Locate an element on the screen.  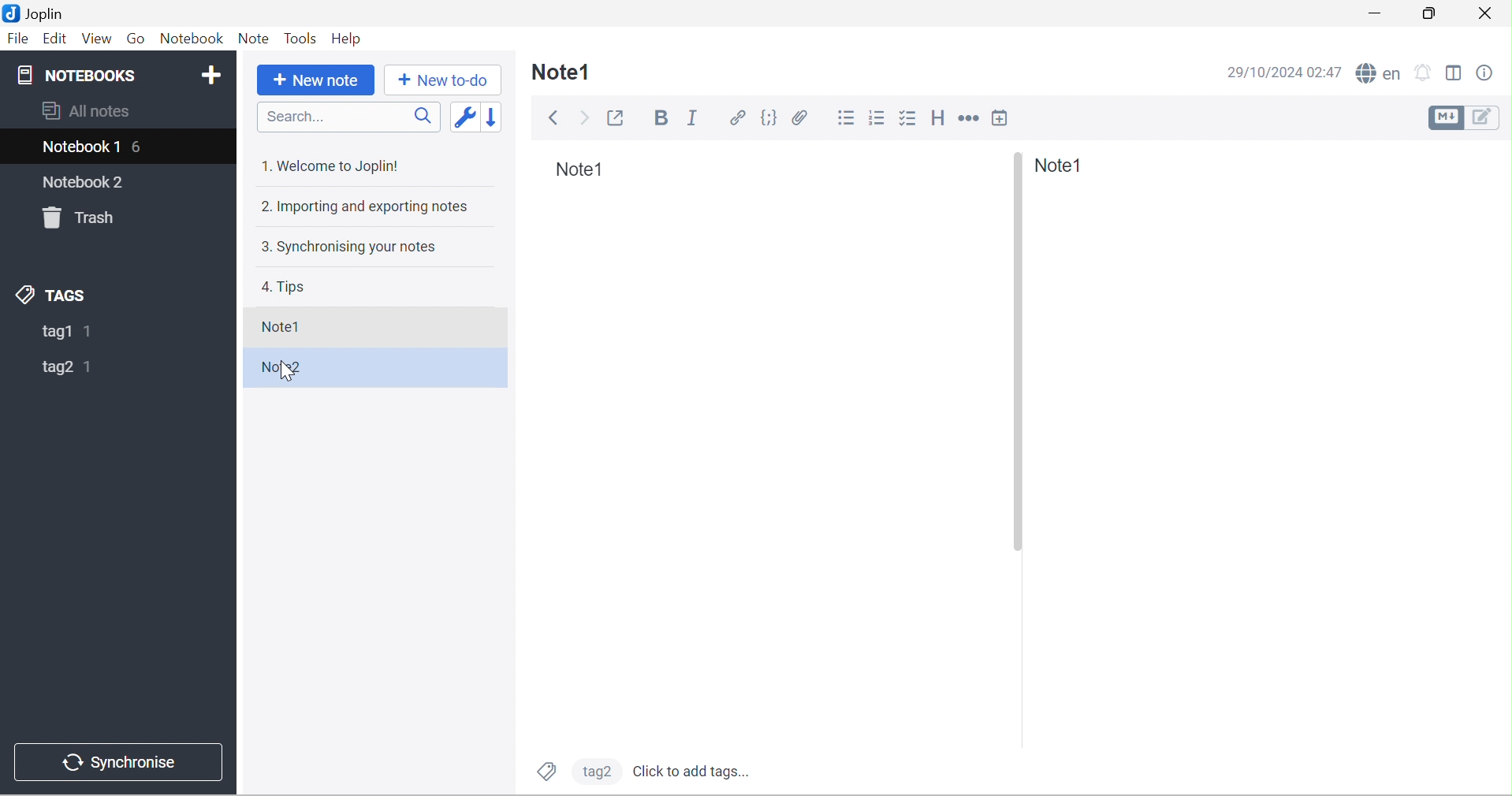
Add Notebook is located at coordinates (216, 76).